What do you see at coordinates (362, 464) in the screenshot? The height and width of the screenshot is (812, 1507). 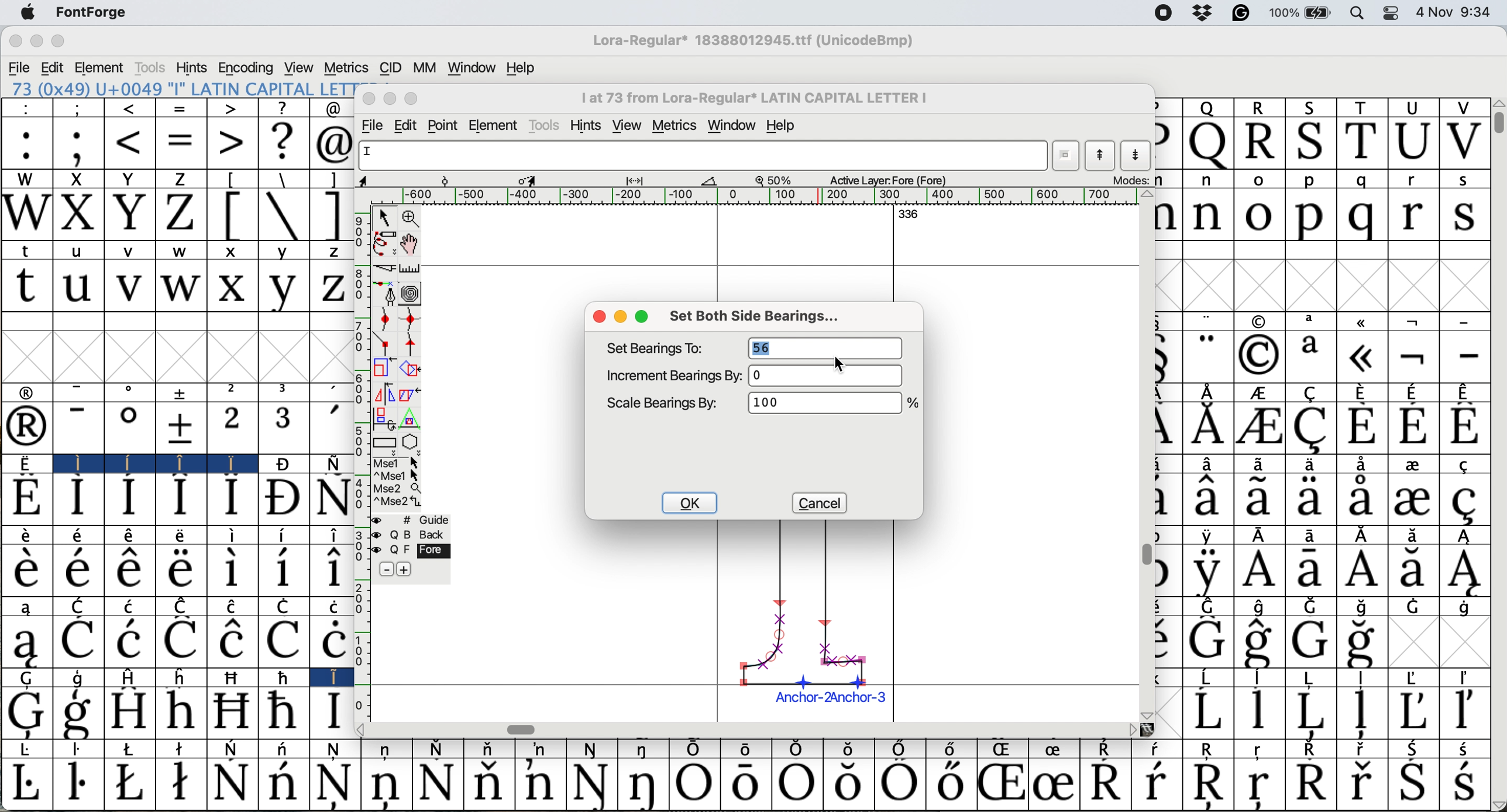 I see `vertical scale` at bounding box center [362, 464].